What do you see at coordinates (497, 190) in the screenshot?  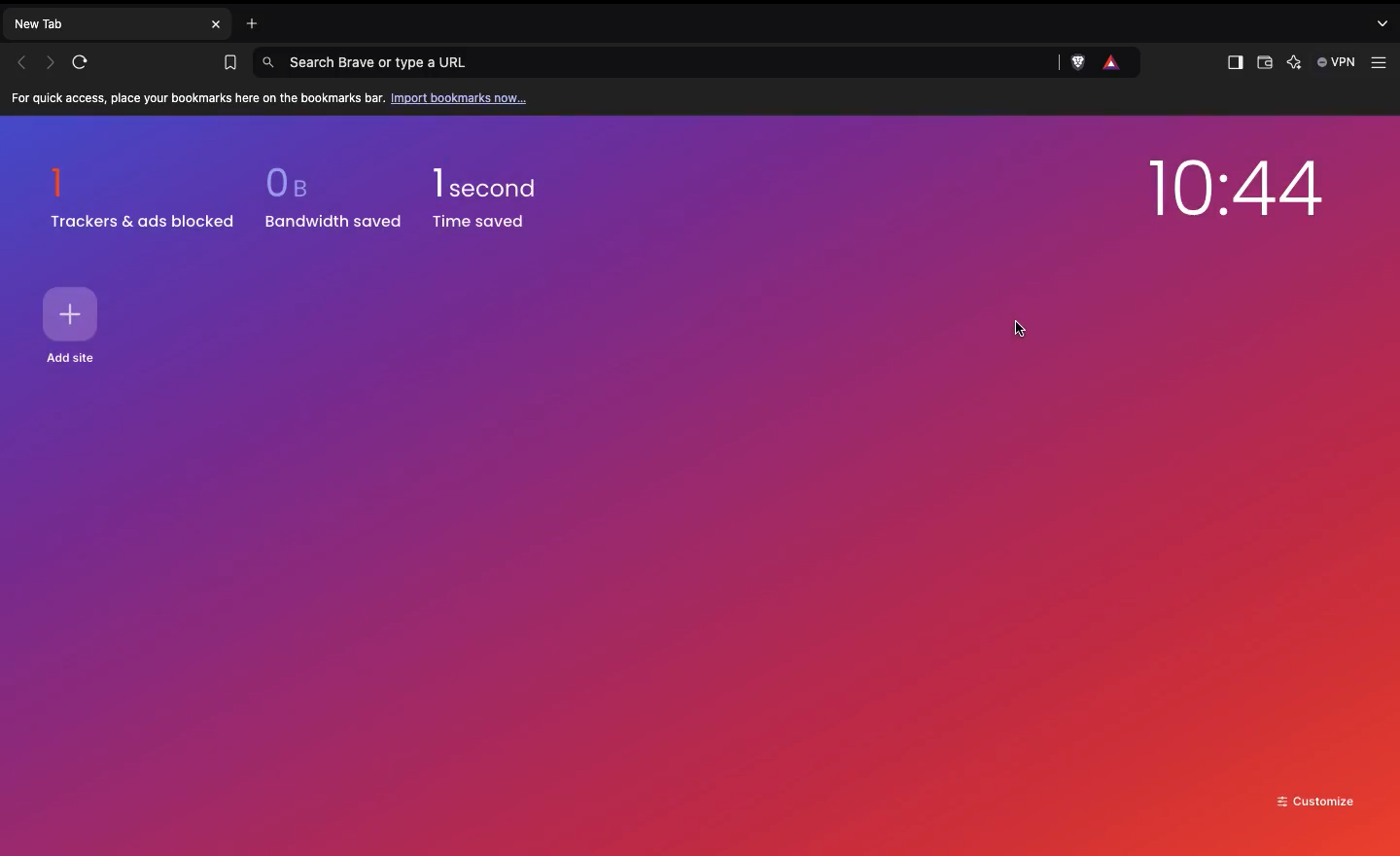 I see `1 second time saved` at bounding box center [497, 190].